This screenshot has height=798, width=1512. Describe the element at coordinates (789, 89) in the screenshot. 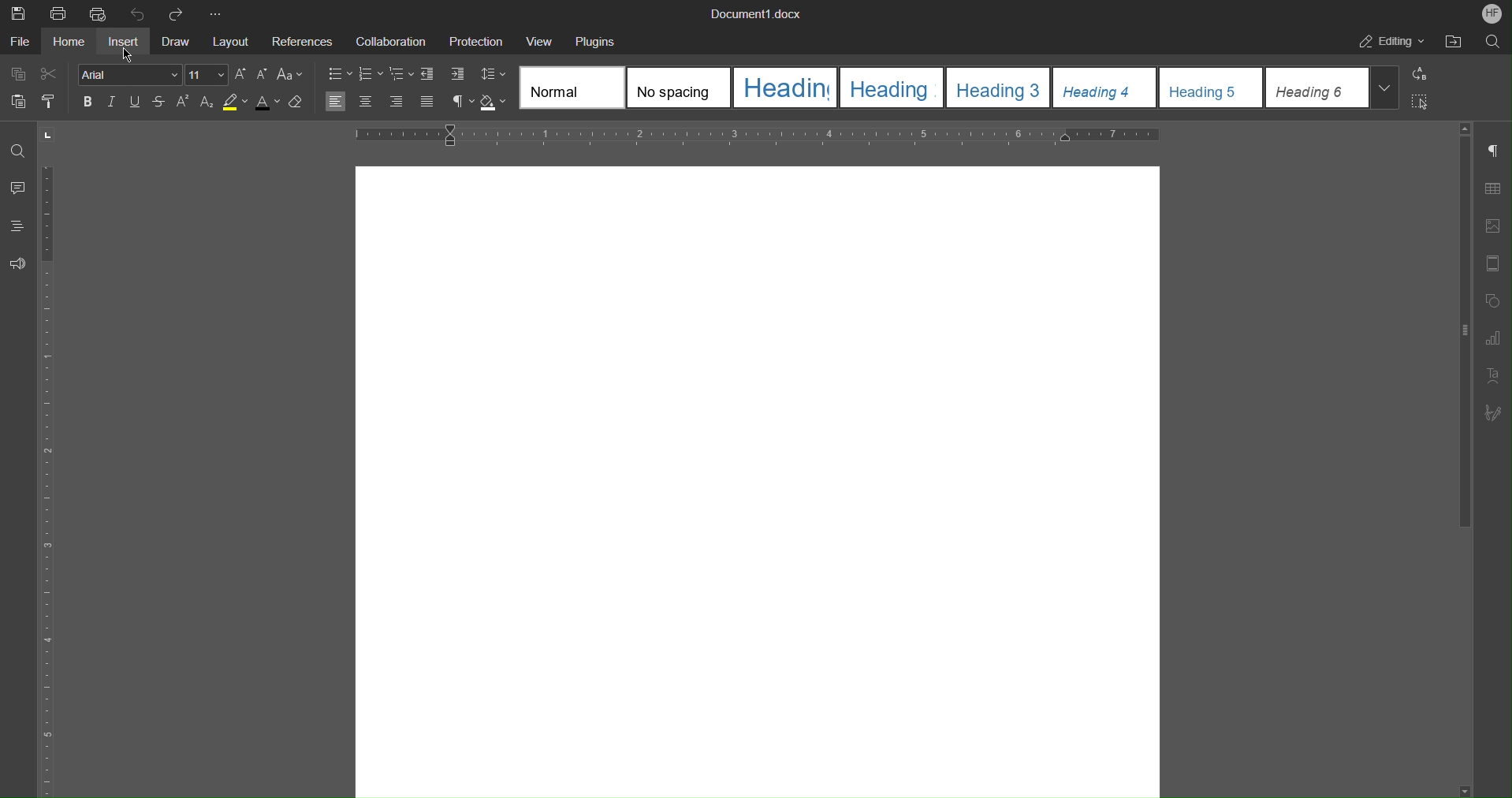

I see `heading 1` at that location.